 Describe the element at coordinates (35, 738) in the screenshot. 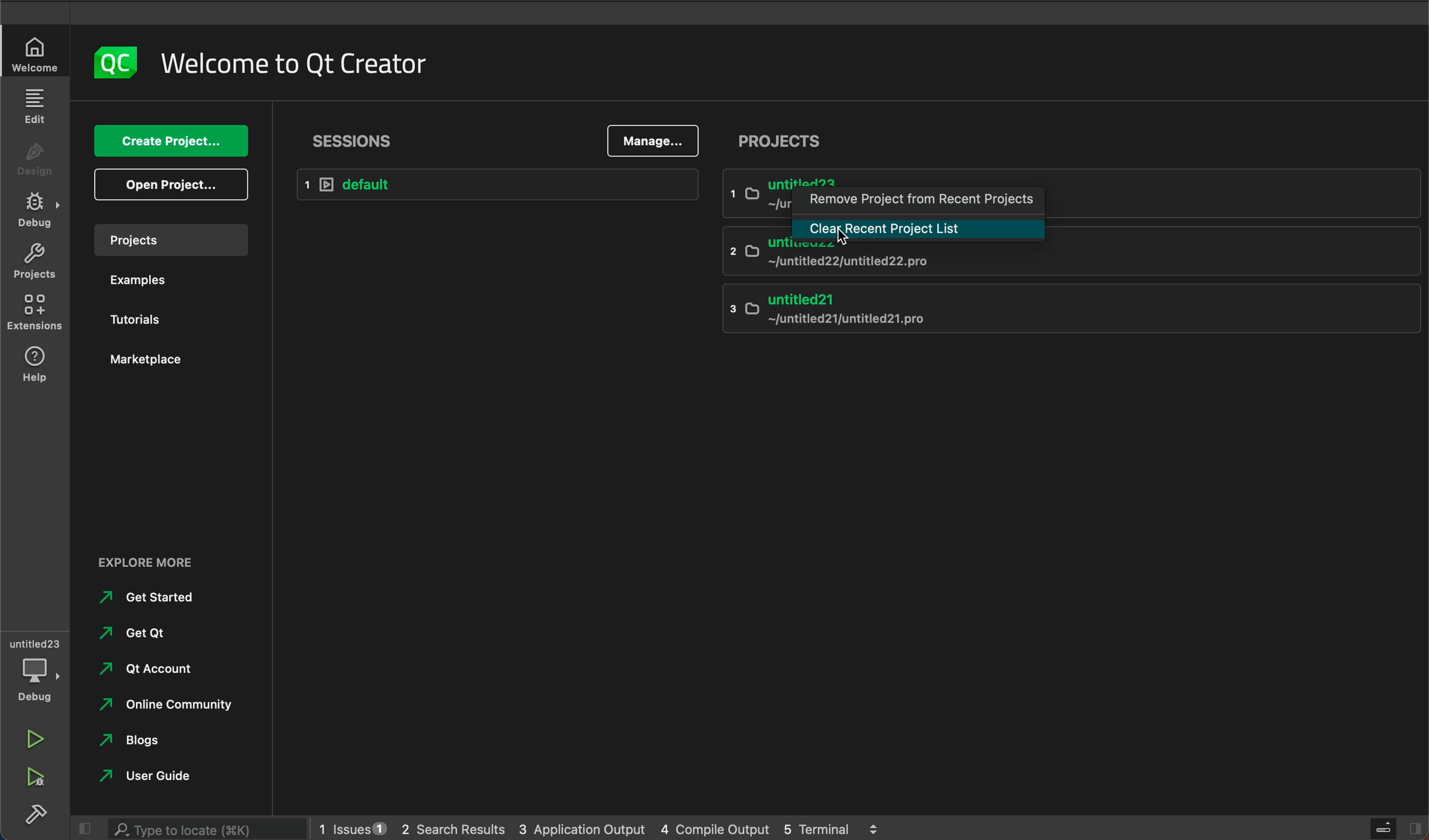

I see `run` at that location.